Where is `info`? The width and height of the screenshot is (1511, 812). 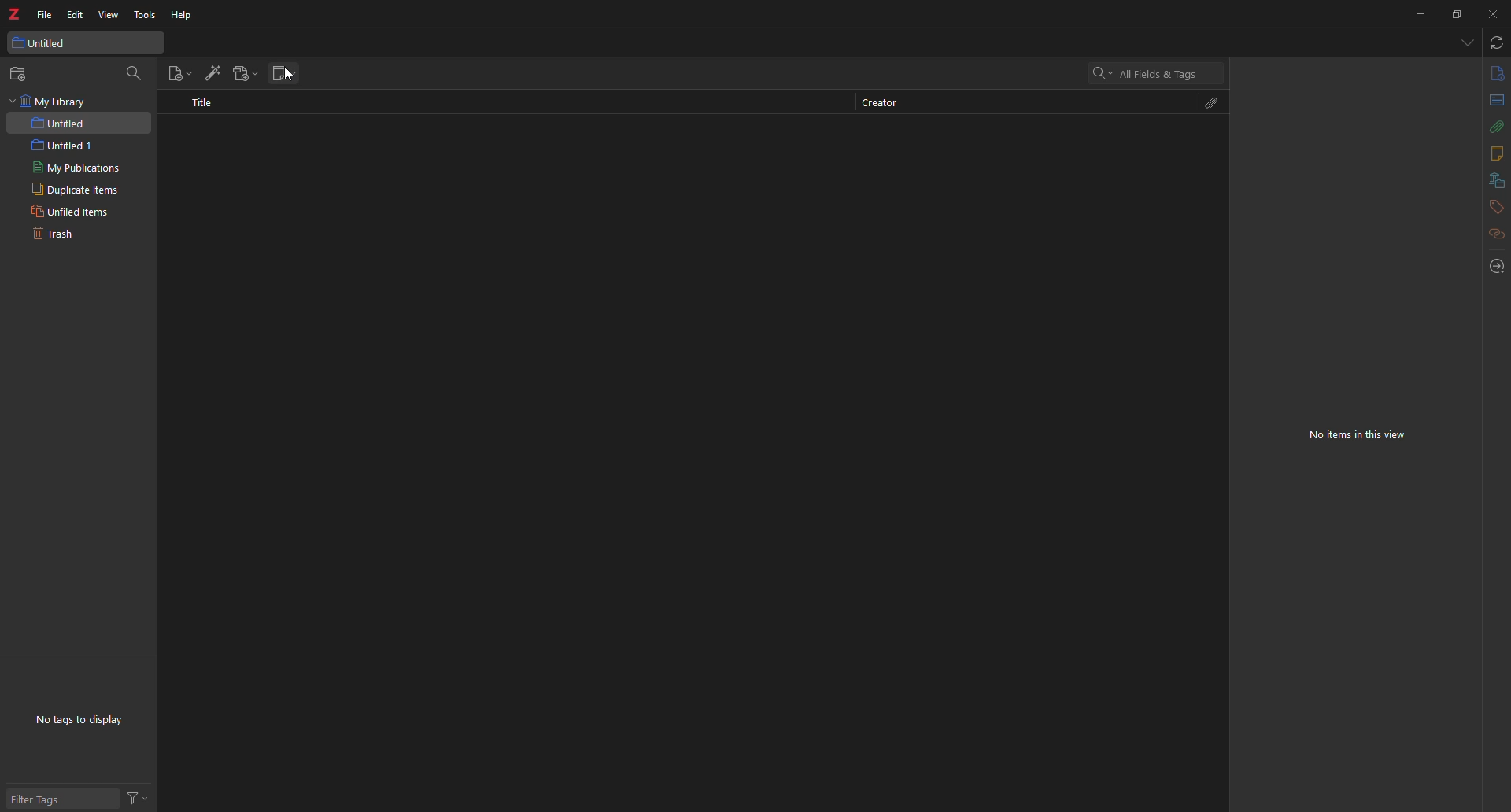 info is located at coordinates (1495, 72).